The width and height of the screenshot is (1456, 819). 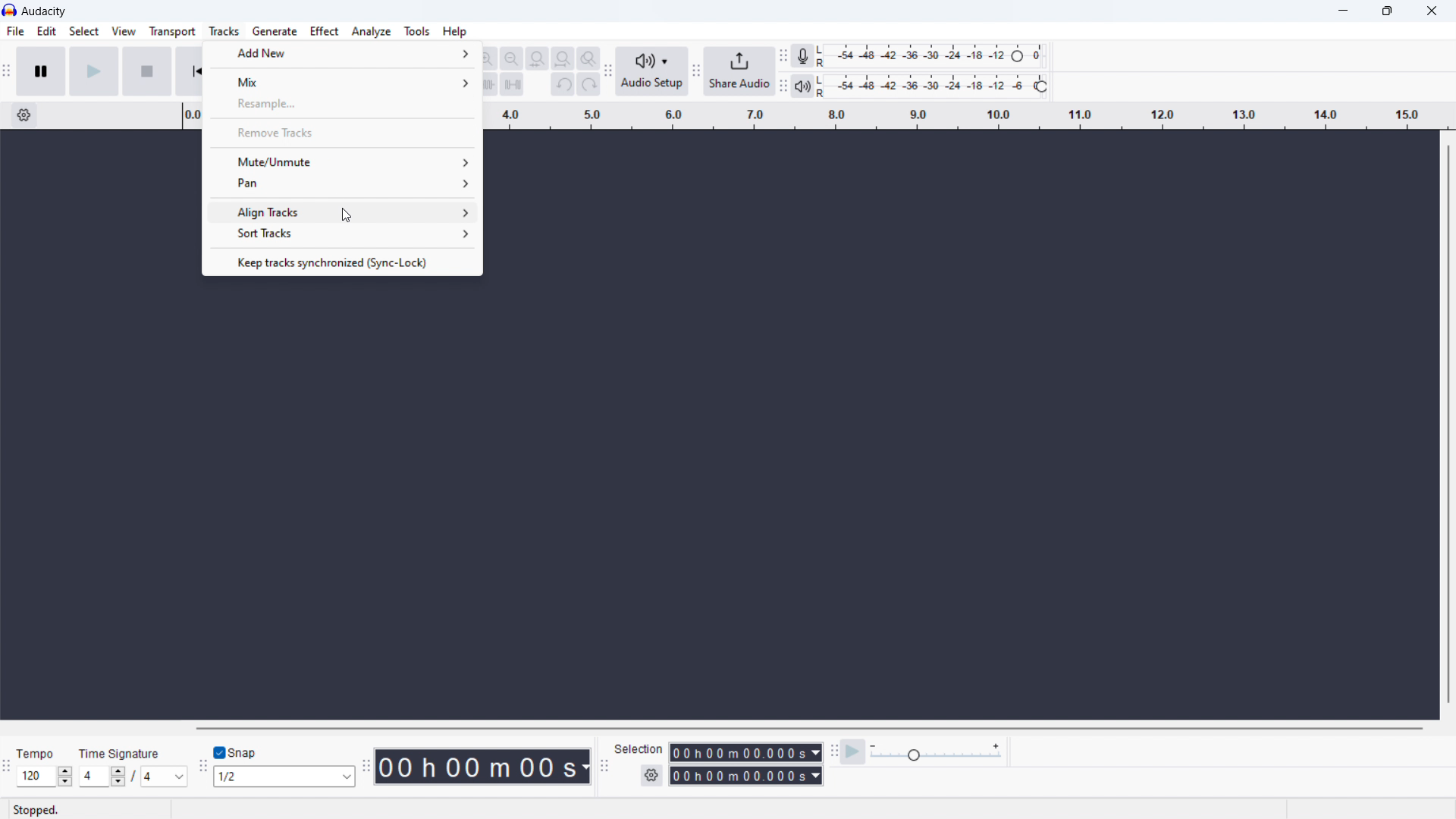 What do you see at coordinates (342, 131) in the screenshot?
I see `remove tracks` at bounding box center [342, 131].